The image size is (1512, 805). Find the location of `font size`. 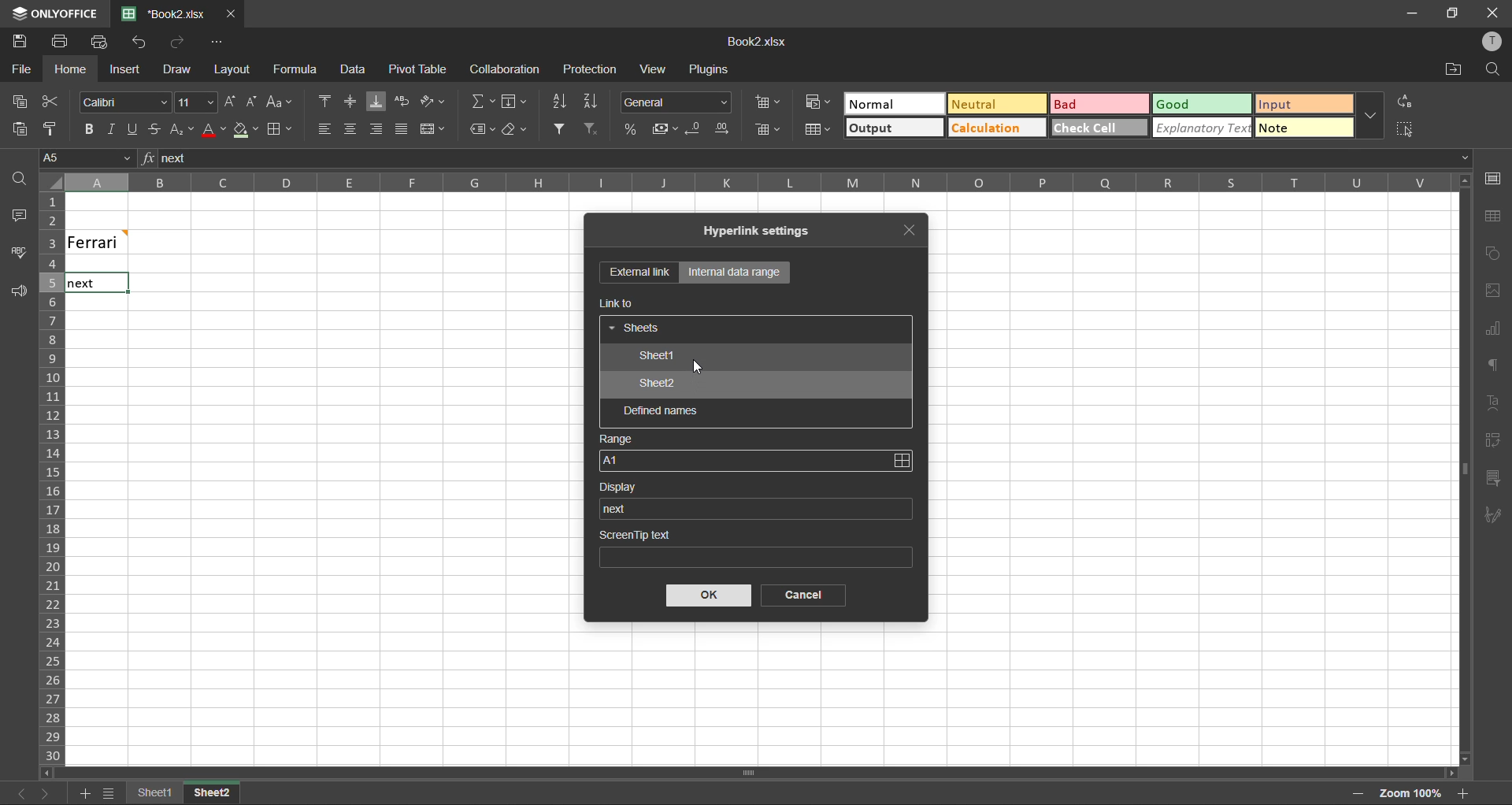

font size is located at coordinates (198, 101).